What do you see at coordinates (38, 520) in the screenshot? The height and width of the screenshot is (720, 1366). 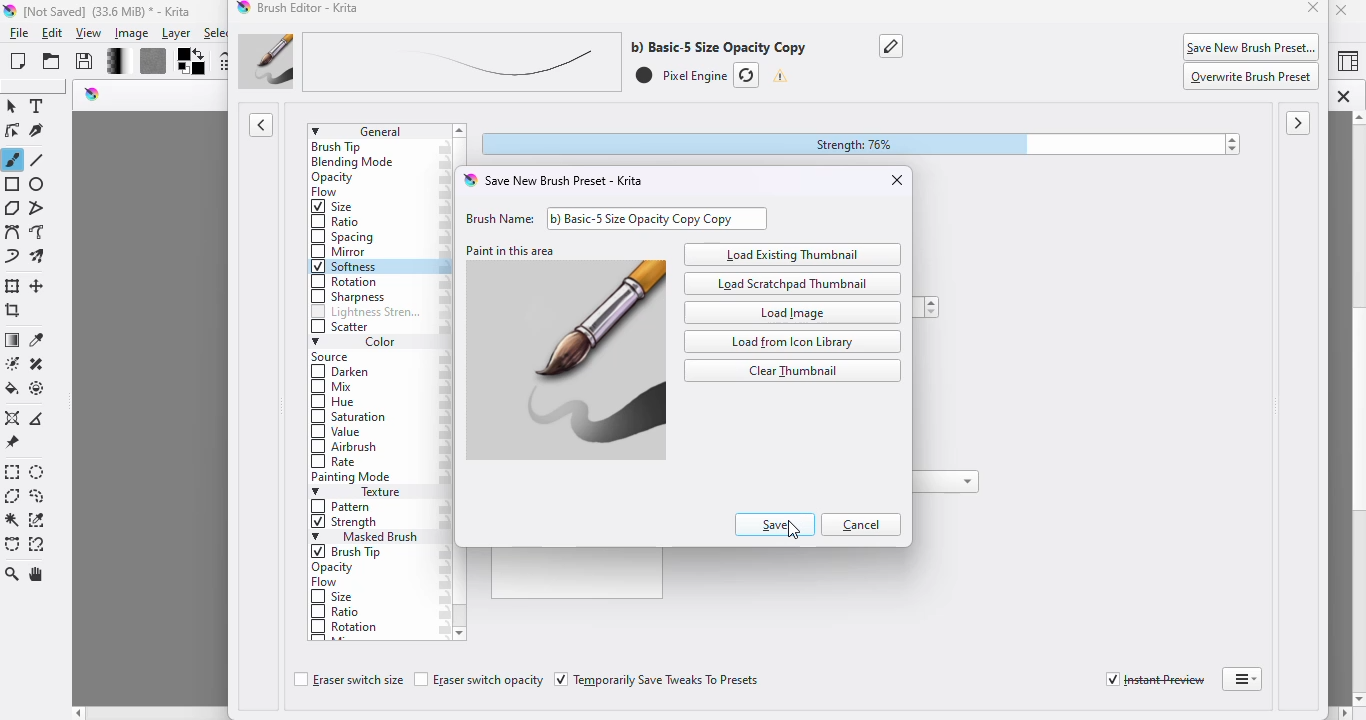 I see `similar color selection tool` at bounding box center [38, 520].